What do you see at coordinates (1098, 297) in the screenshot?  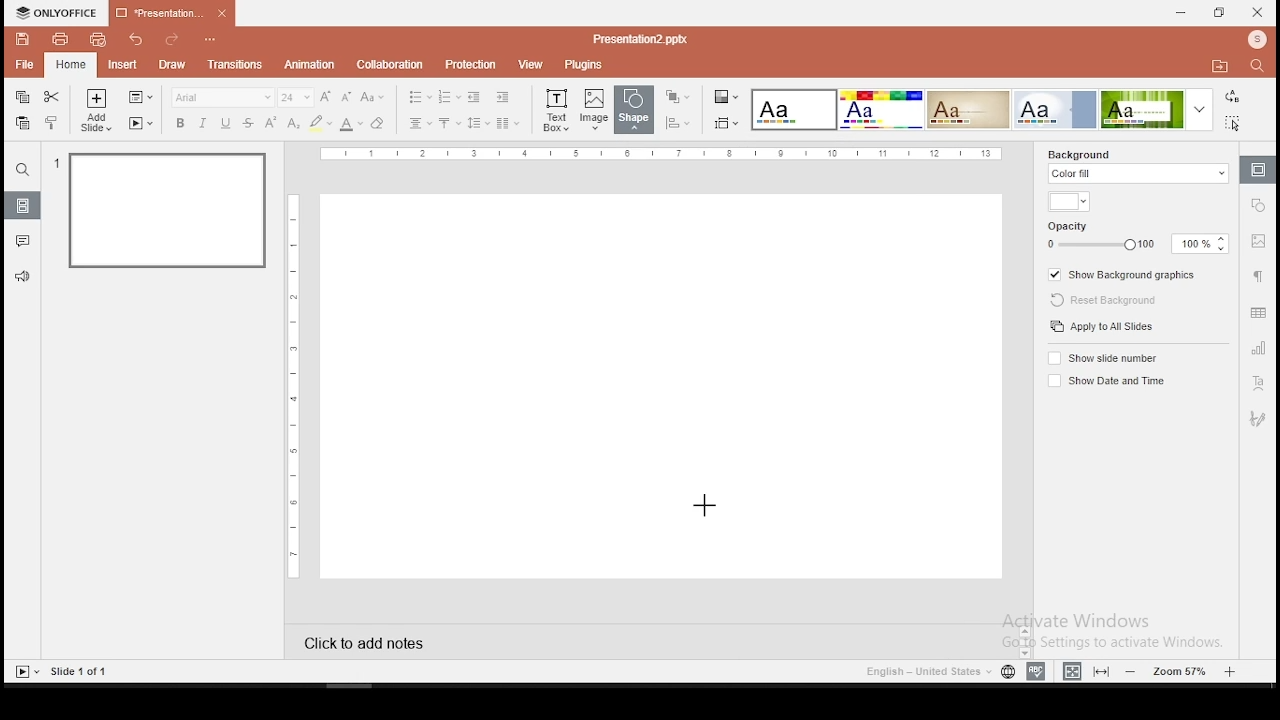 I see `reset background` at bounding box center [1098, 297].